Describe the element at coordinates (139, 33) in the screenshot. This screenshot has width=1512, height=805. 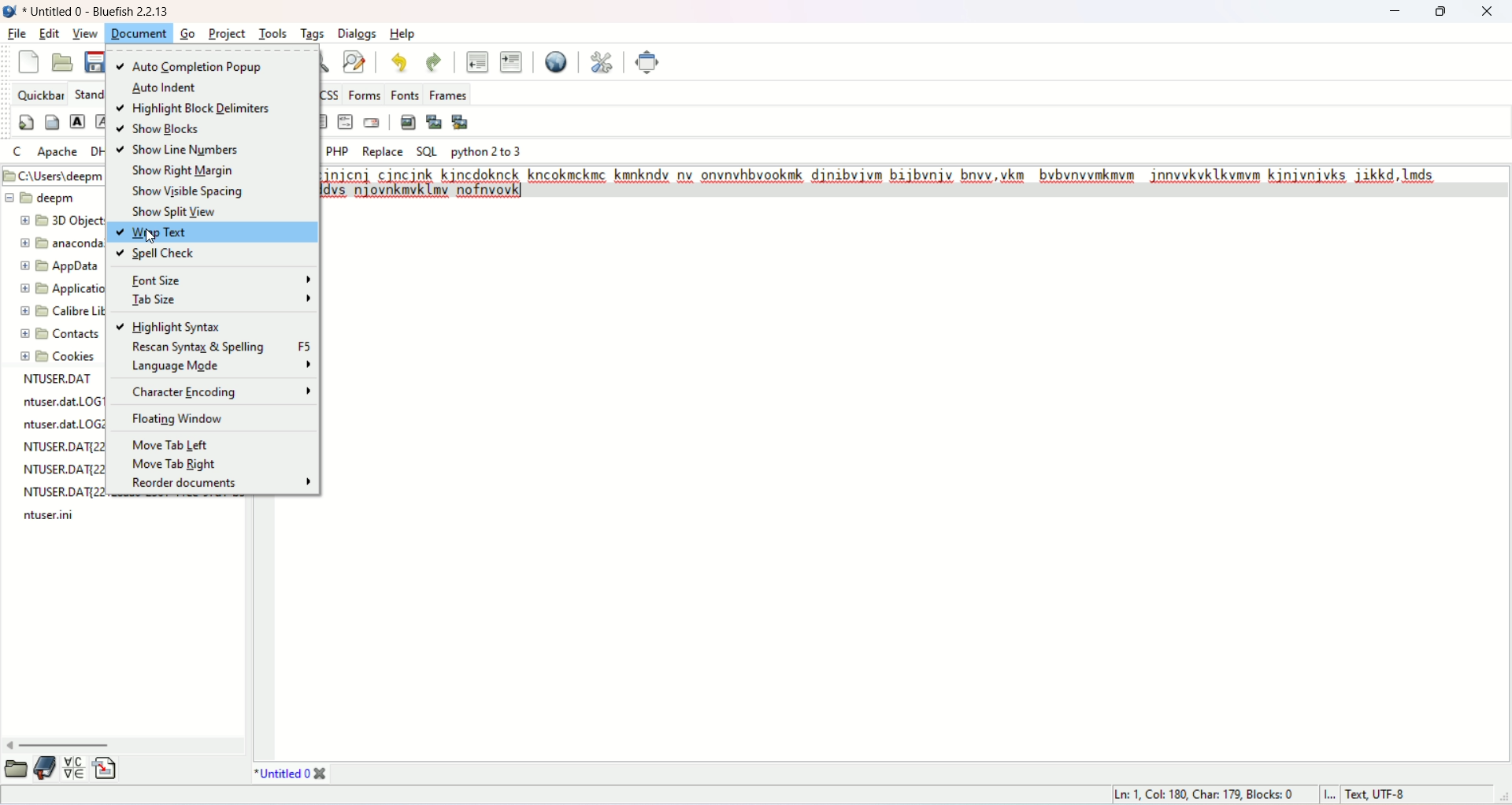
I see `document` at that location.